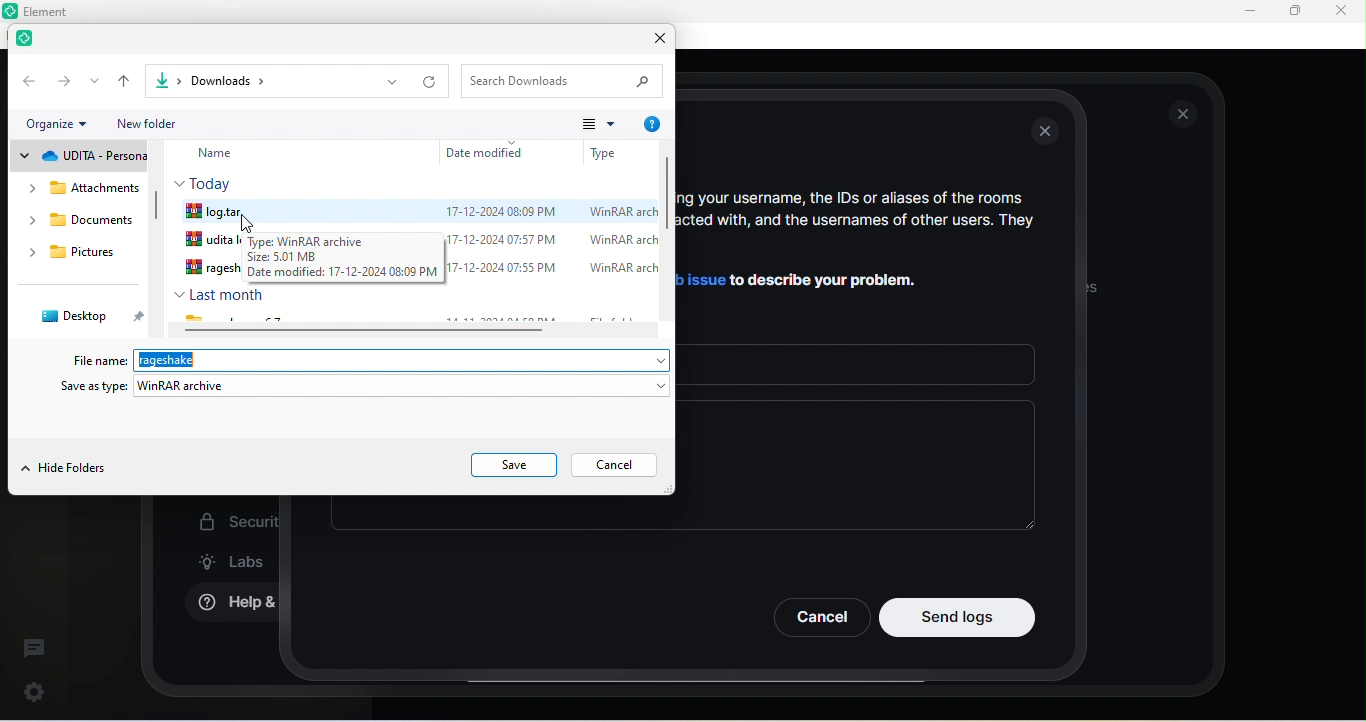 The height and width of the screenshot is (722, 1366). What do you see at coordinates (432, 82) in the screenshot?
I see `refresh` at bounding box center [432, 82].